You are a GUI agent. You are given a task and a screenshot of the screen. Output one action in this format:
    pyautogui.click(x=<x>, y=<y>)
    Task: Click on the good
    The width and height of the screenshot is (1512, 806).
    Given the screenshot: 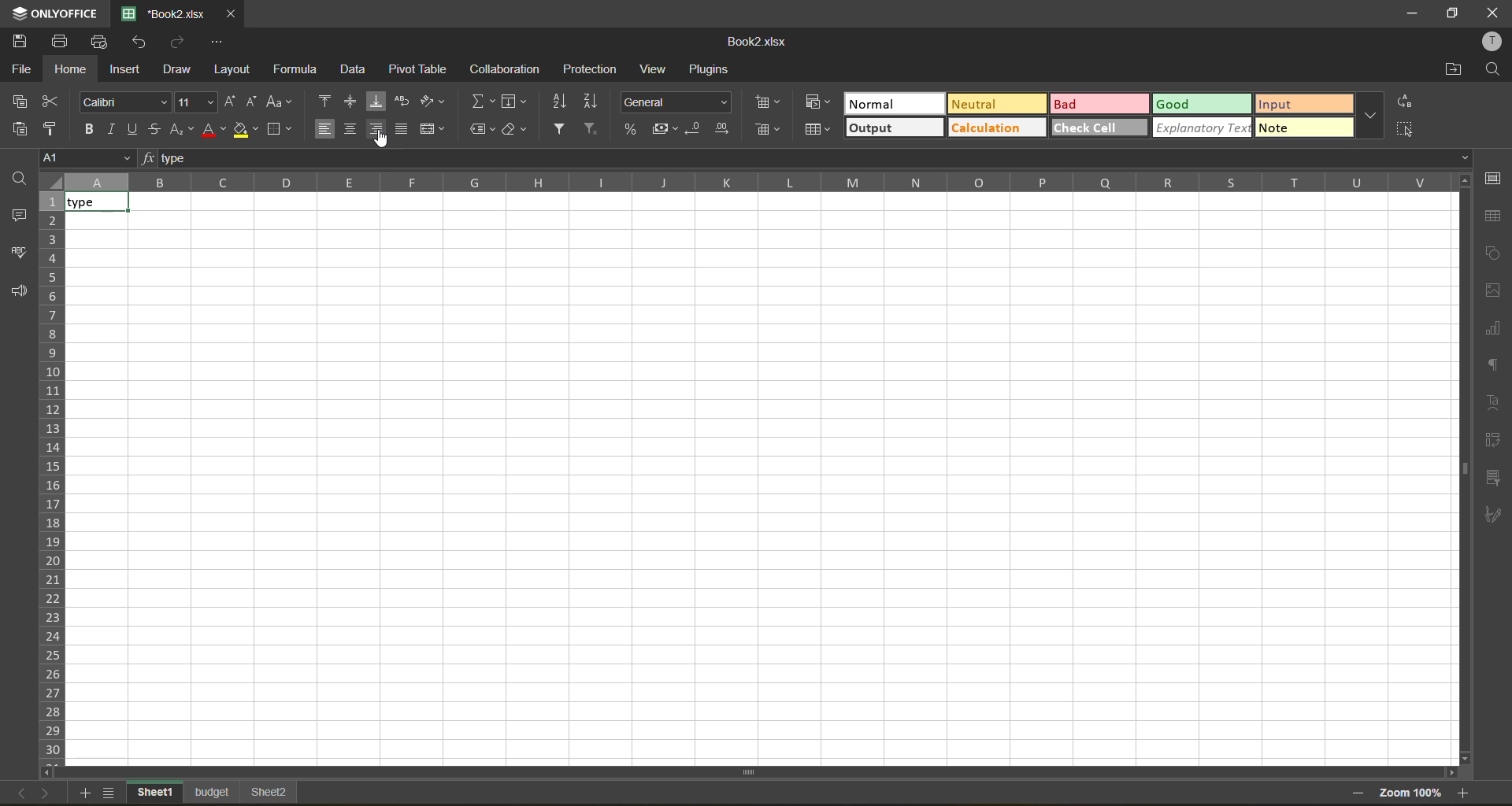 What is the action you would take?
    pyautogui.click(x=1203, y=105)
    